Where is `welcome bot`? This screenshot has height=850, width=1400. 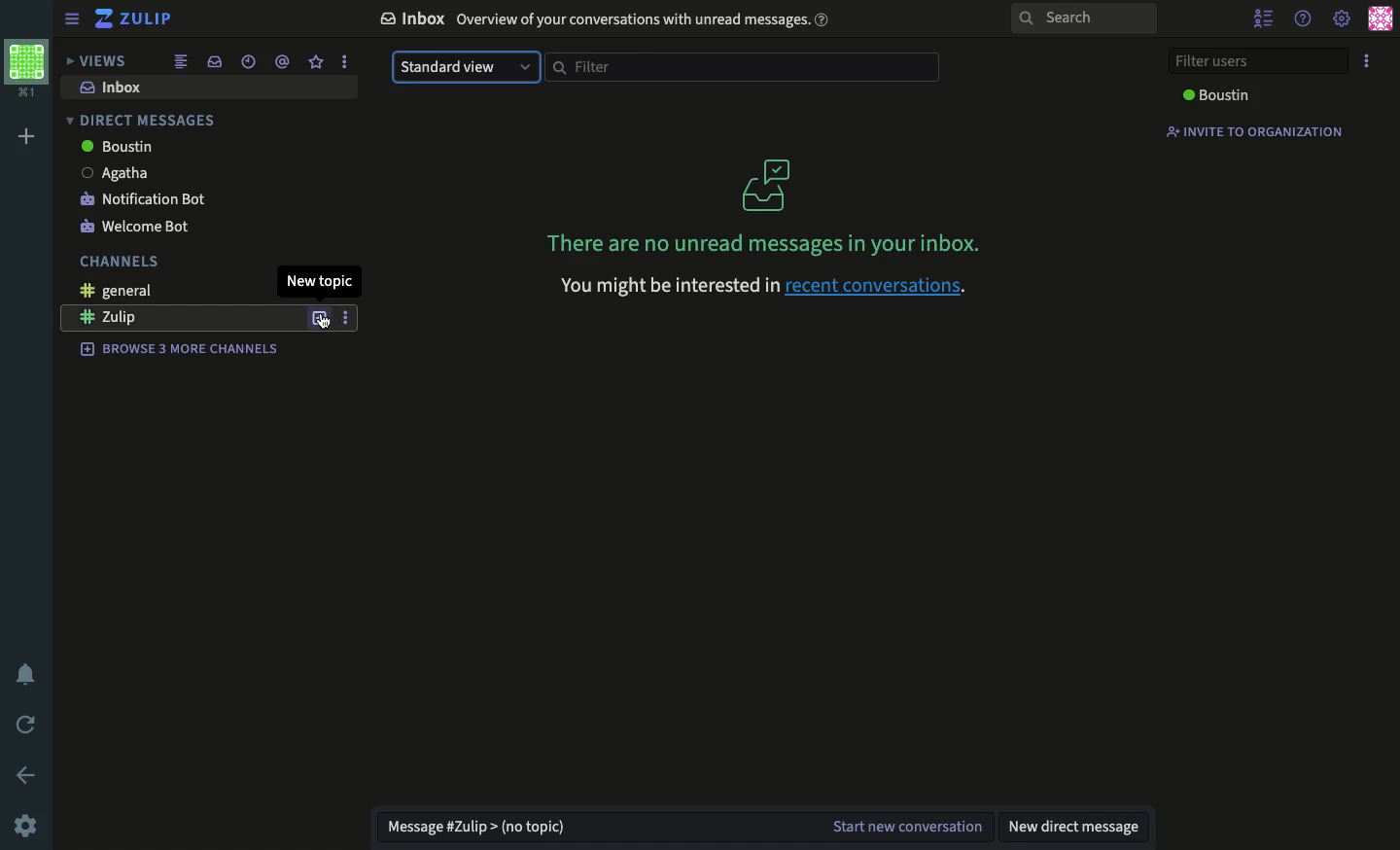
welcome bot is located at coordinates (137, 228).